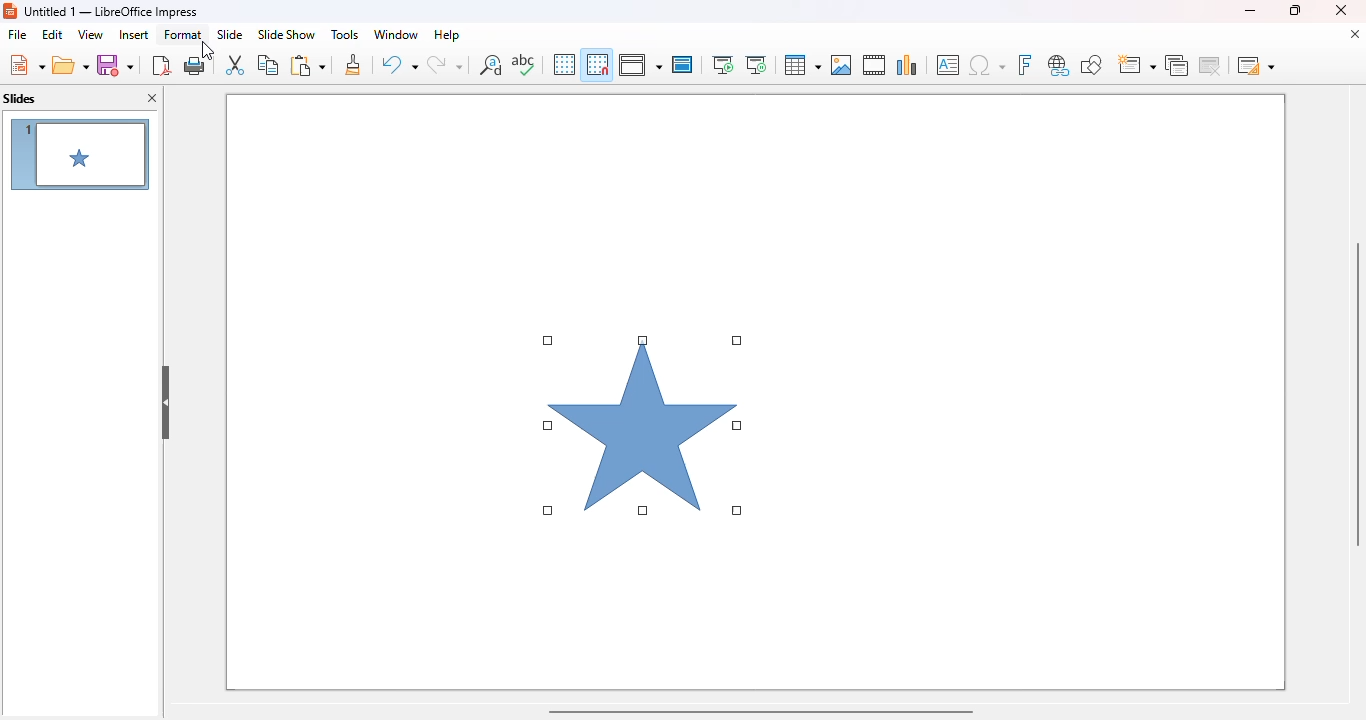  What do you see at coordinates (1354, 34) in the screenshot?
I see `close document` at bounding box center [1354, 34].